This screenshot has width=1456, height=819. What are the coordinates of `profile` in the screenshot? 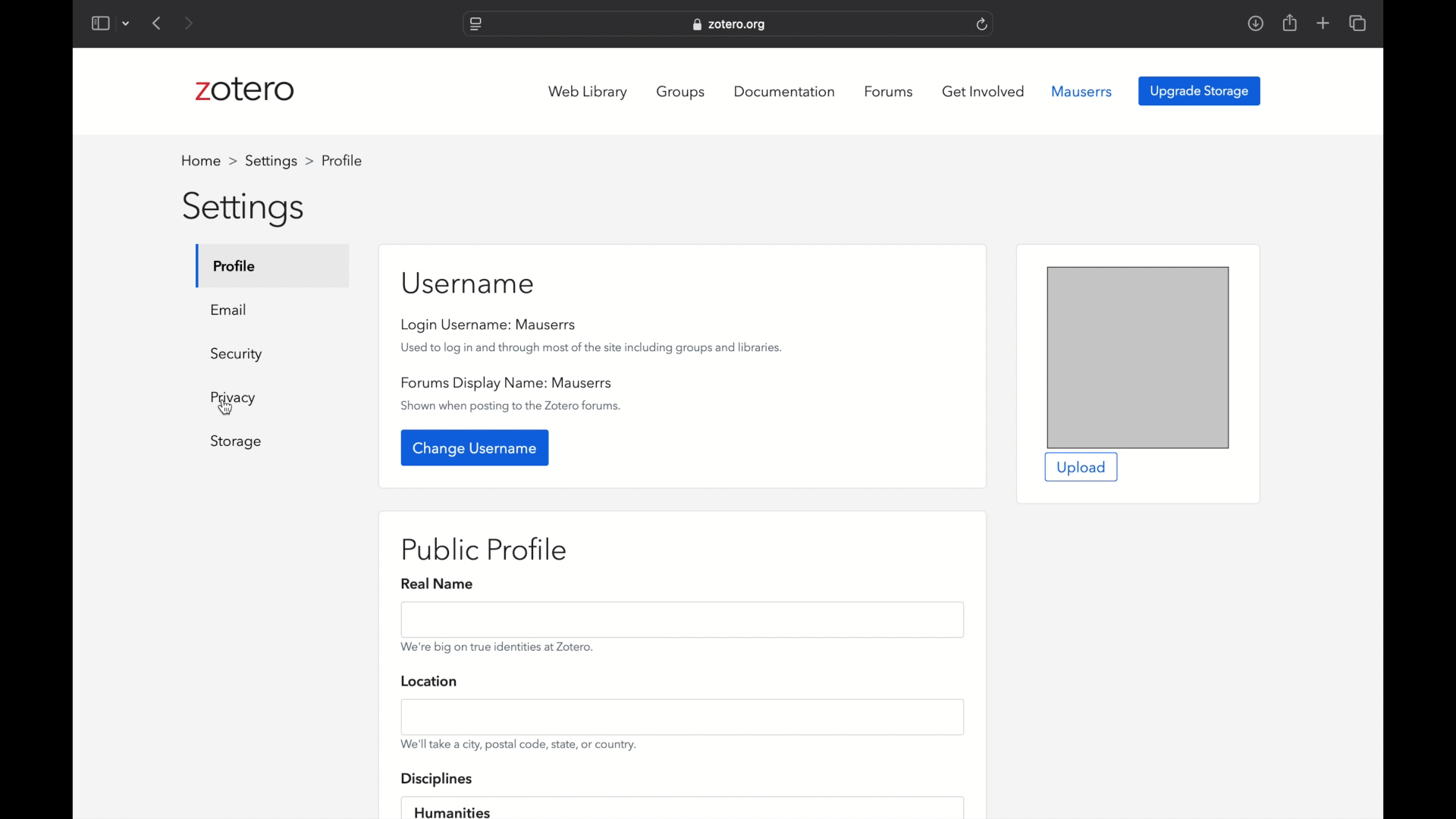 It's located at (342, 160).